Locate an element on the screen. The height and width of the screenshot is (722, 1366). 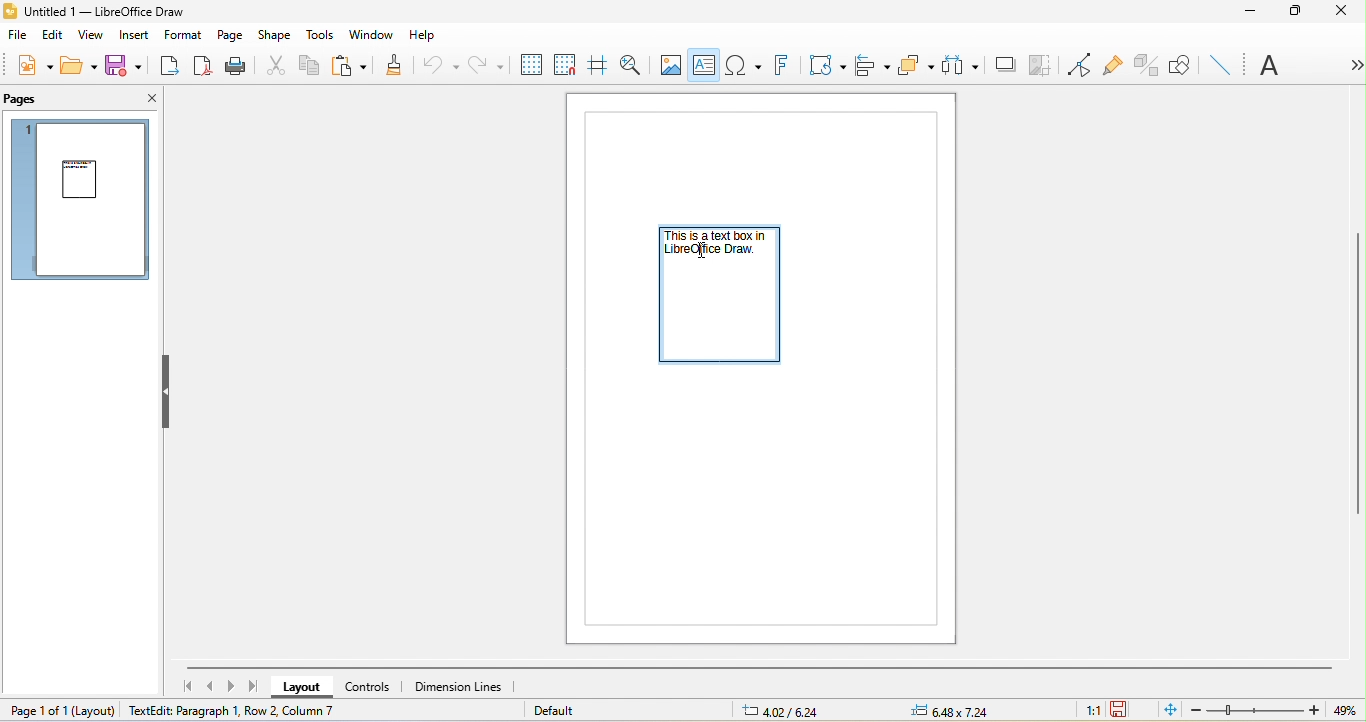
export is located at coordinates (173, 67).